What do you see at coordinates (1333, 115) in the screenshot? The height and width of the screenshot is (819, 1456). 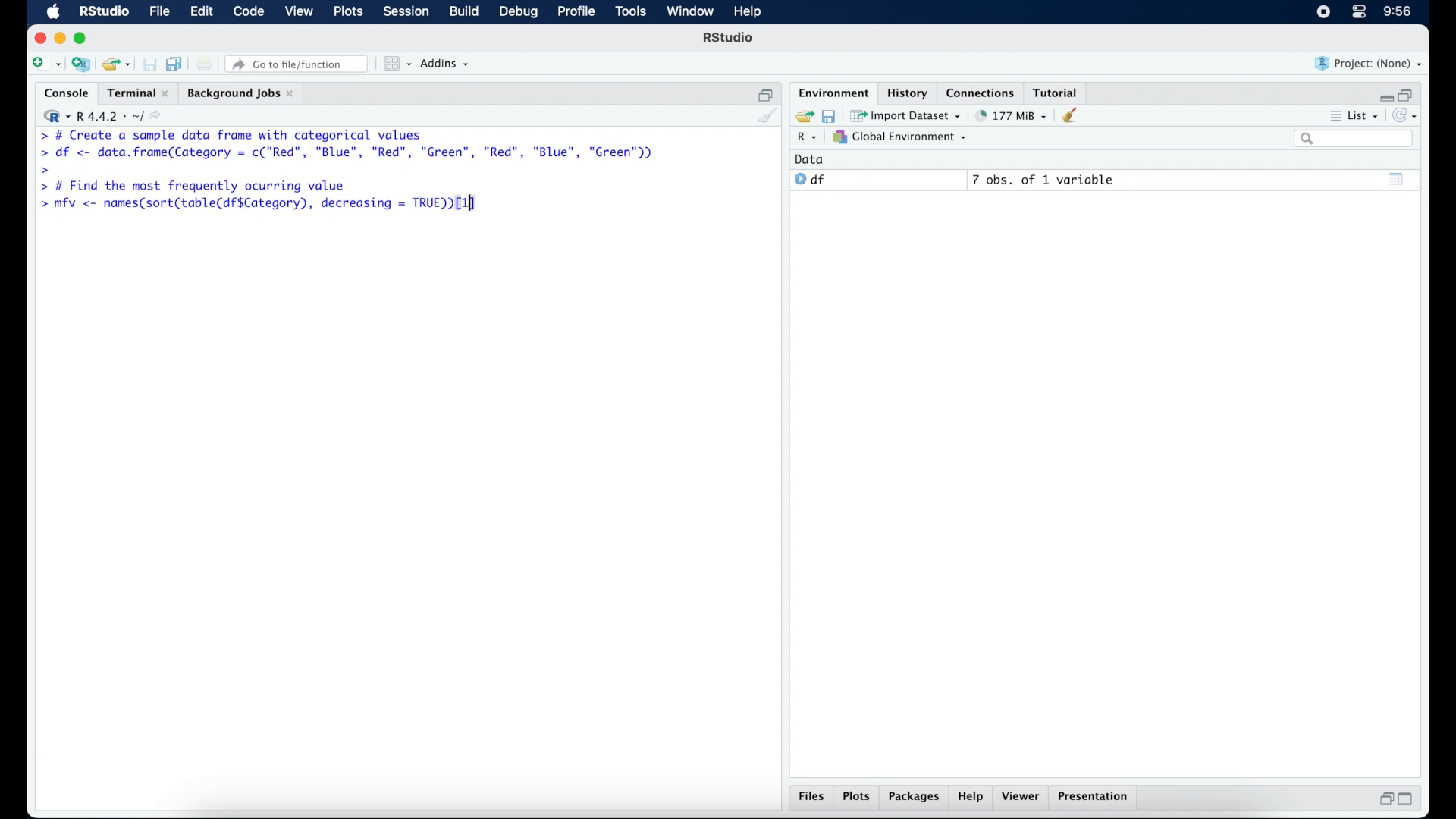 I see `more options` at bounding box center [1333, 115].